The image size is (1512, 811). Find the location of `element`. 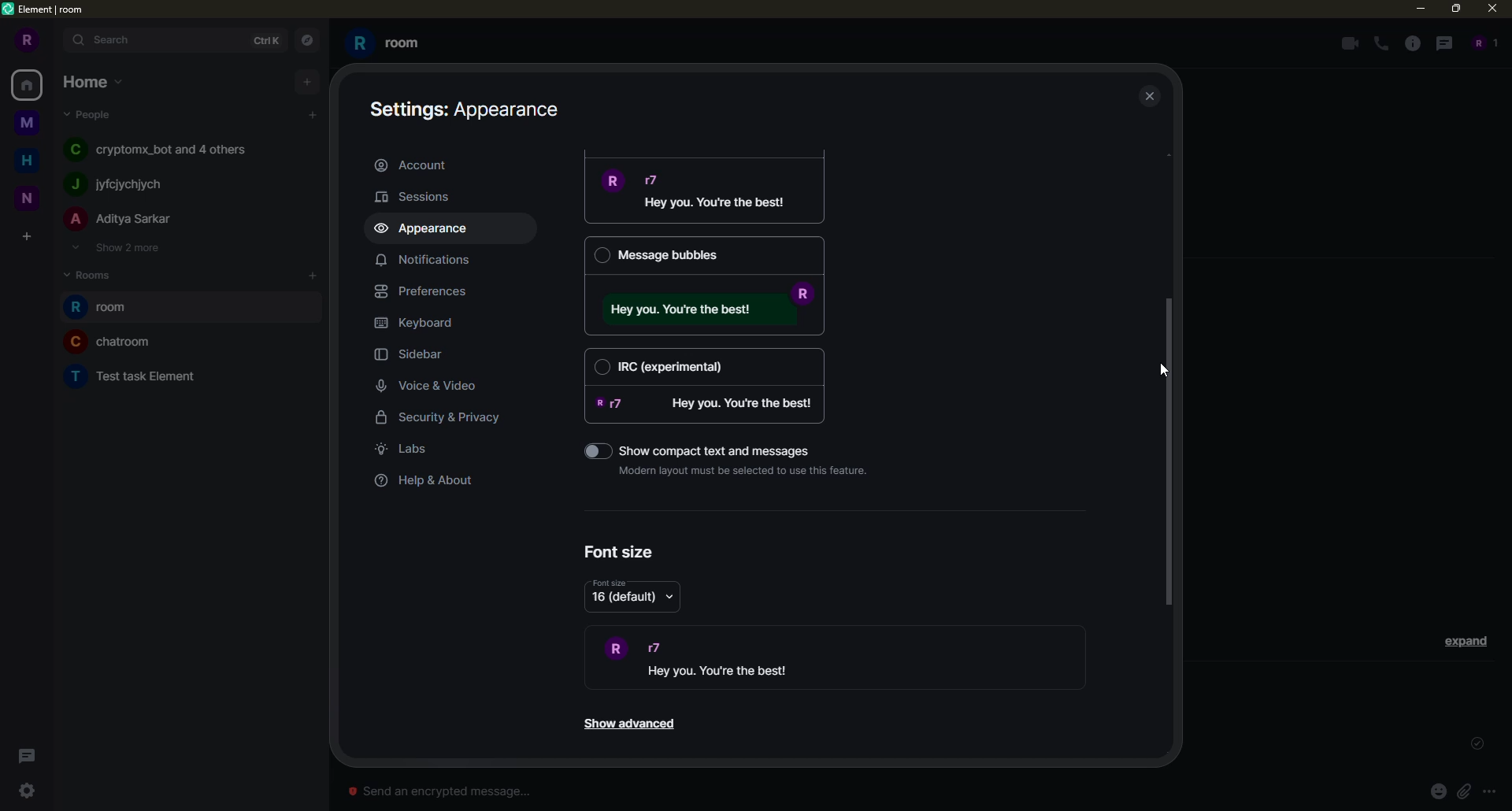

element is located at coordinates (46, 10).